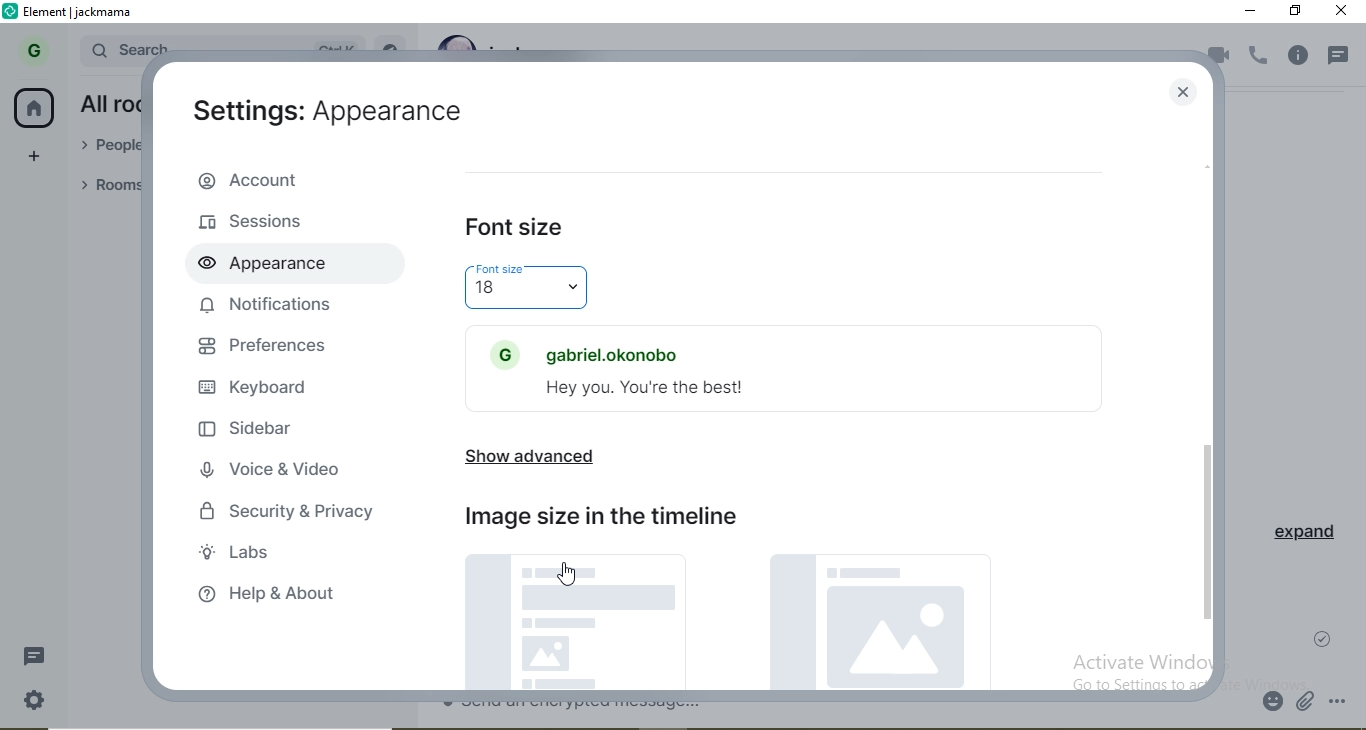  Describe the element at coordinates (847, 709) in the screenshot. I see `chat box` at that location.